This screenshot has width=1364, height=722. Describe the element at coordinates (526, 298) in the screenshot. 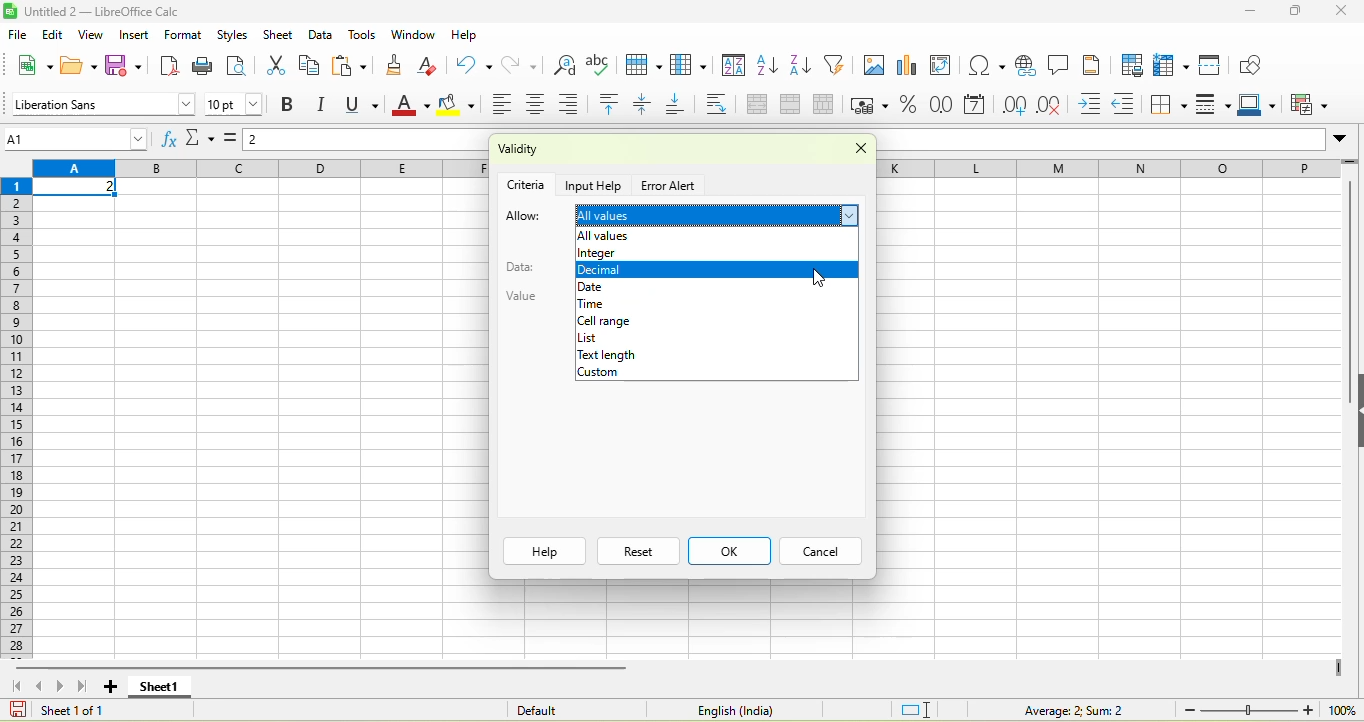

I see `value` at that location.